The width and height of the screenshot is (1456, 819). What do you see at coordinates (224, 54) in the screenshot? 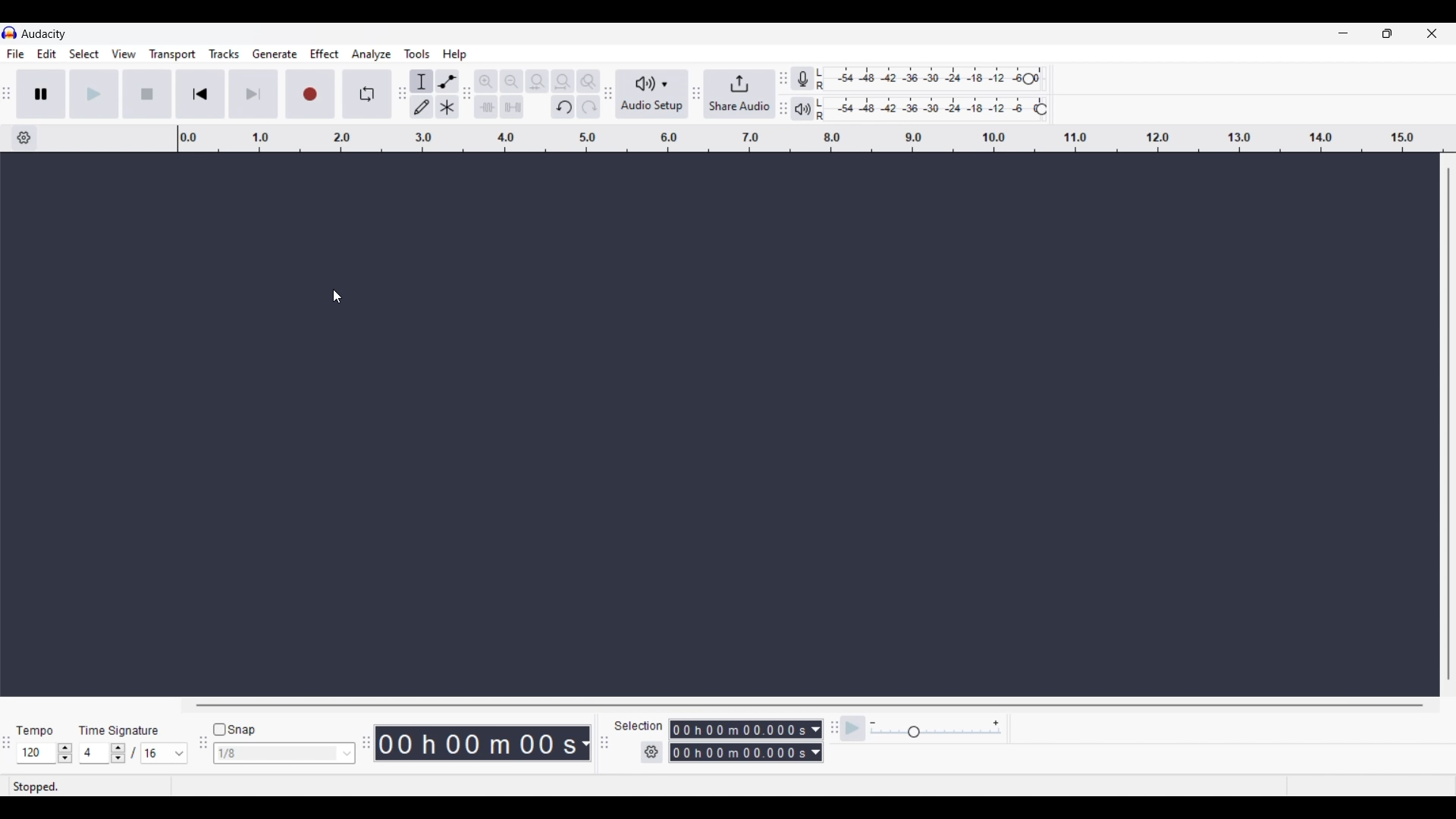
I see `Tracks menu` at bounding box center [224, 54].